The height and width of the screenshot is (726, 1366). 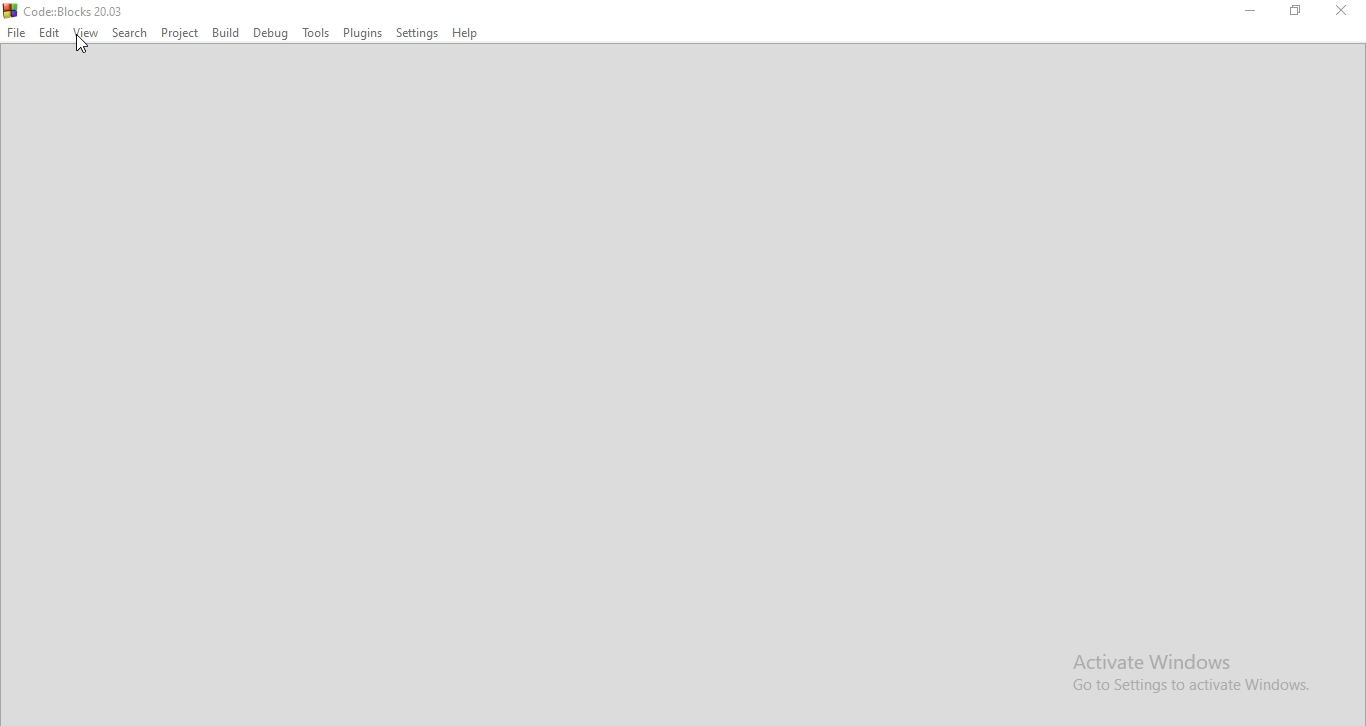 I want to click on Cursor , so click(x=82, y=44).